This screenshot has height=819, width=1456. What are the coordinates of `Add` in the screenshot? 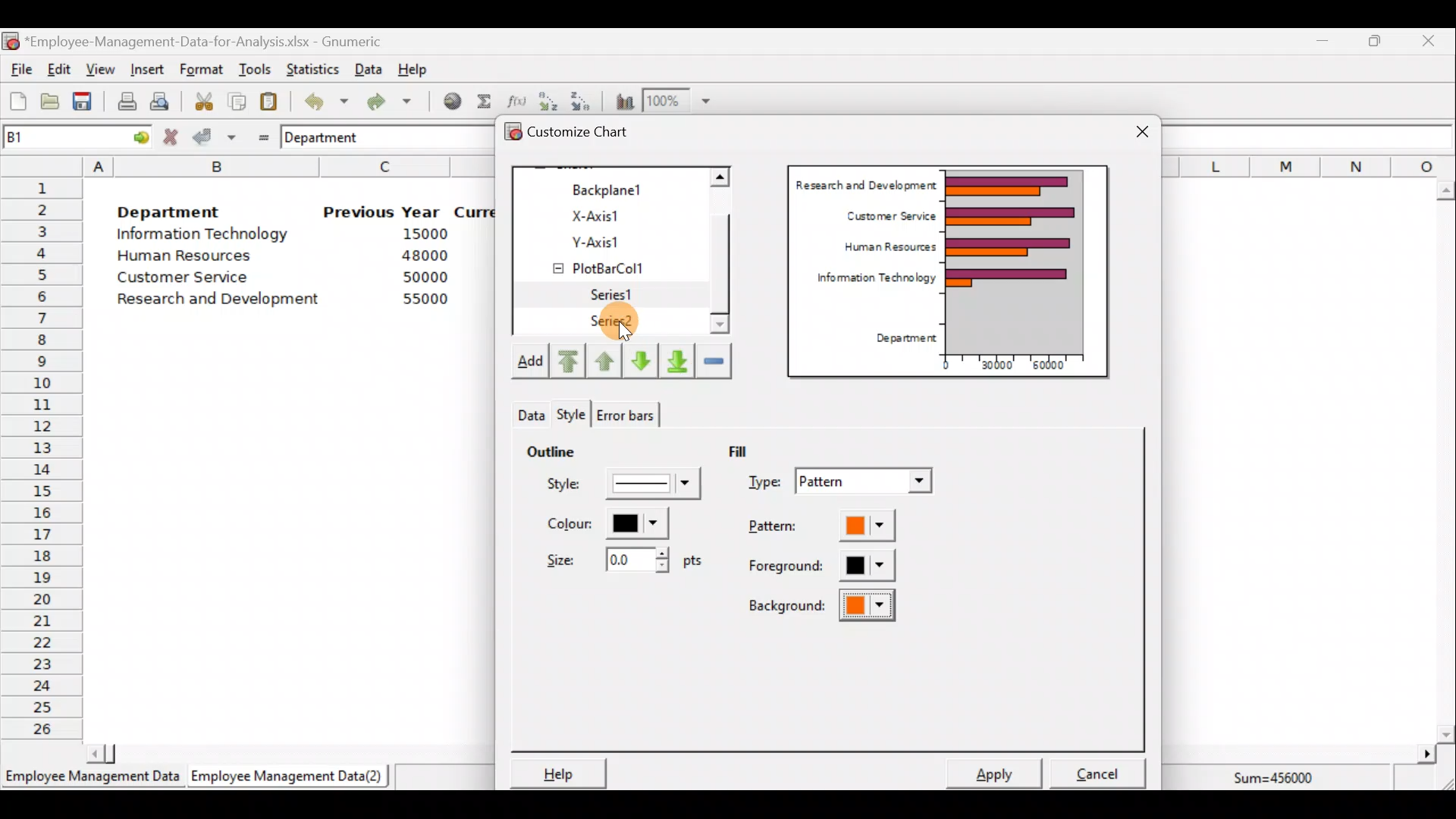 It's located at (529, 364).